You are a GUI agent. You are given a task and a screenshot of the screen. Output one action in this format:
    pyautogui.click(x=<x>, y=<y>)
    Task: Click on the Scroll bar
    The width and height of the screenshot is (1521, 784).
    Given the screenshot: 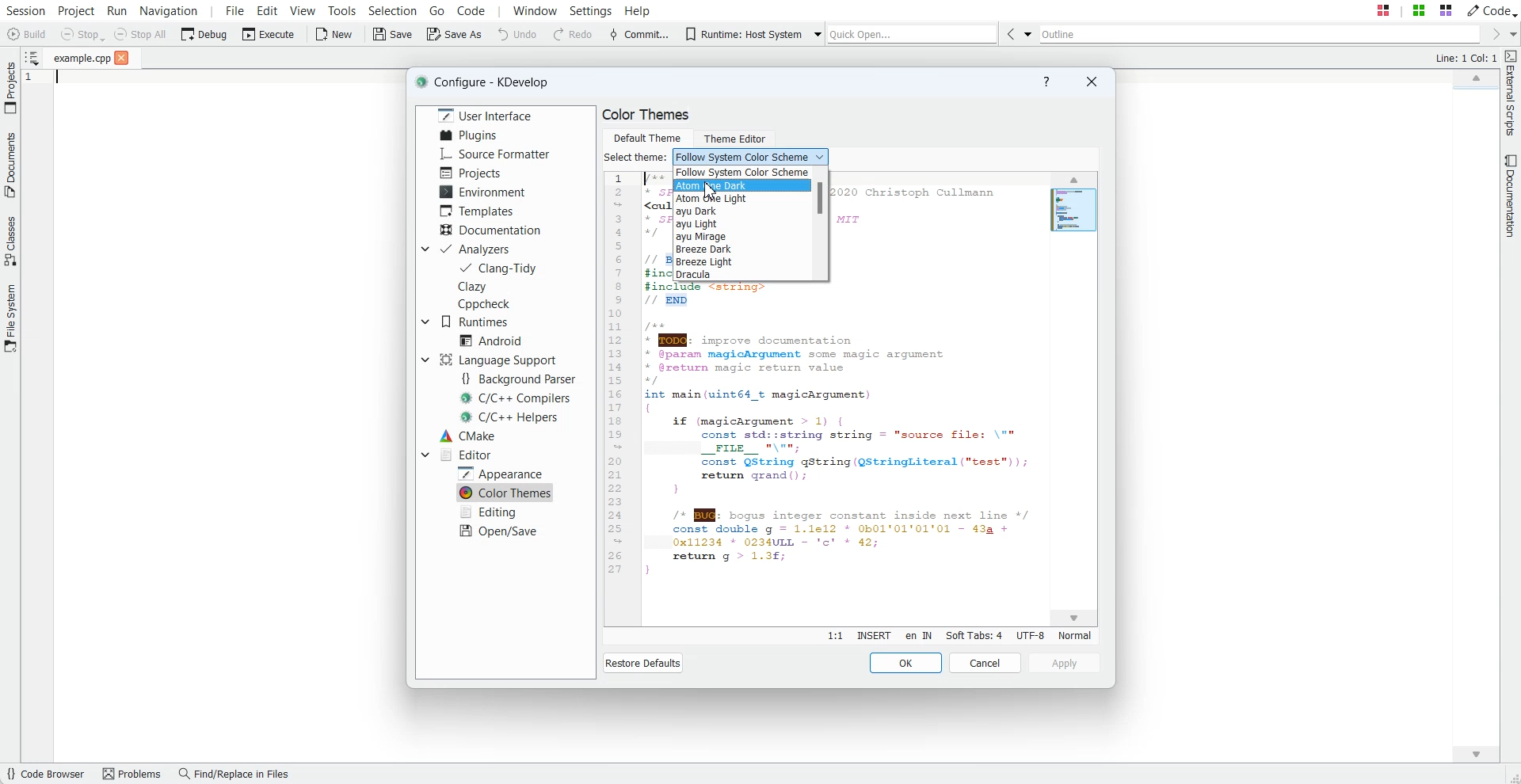 What is the action you would take?
    pyautogui.click(x=823, y=223)
    